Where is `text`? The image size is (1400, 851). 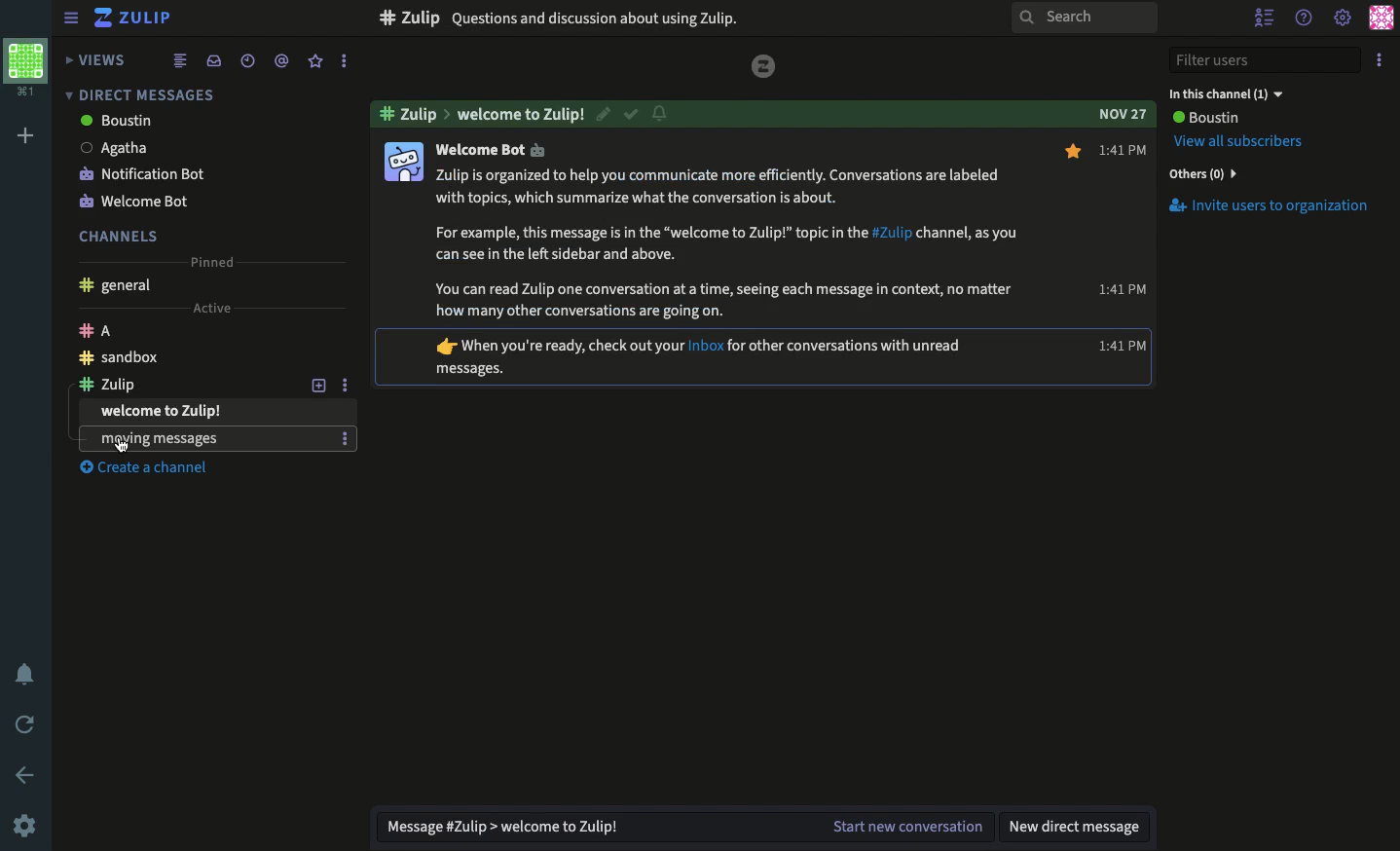 text is located at coordinates (845, 346).